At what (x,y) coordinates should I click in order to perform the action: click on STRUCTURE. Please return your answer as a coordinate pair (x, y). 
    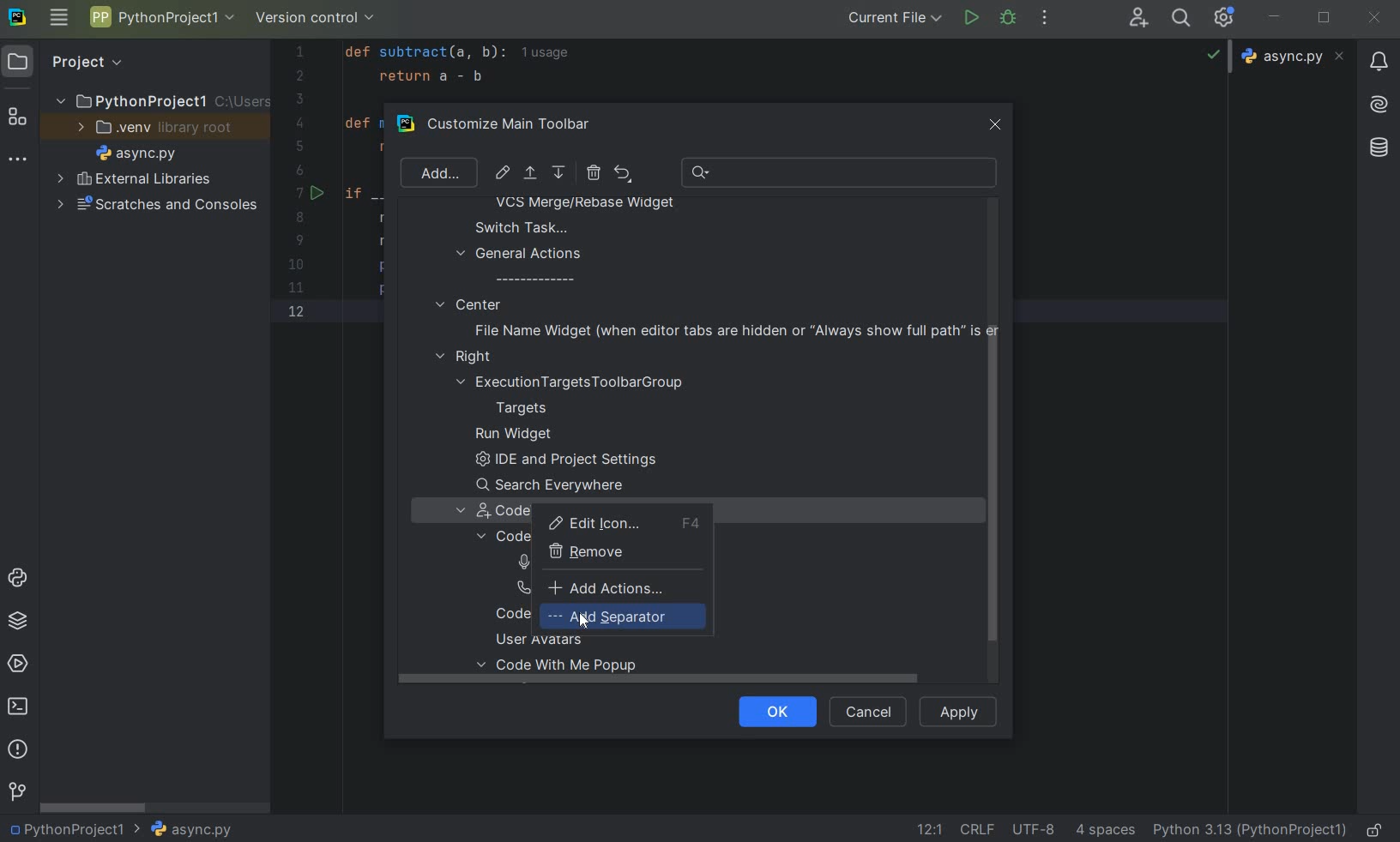
    Looking at the image, I should click on (19, 119).